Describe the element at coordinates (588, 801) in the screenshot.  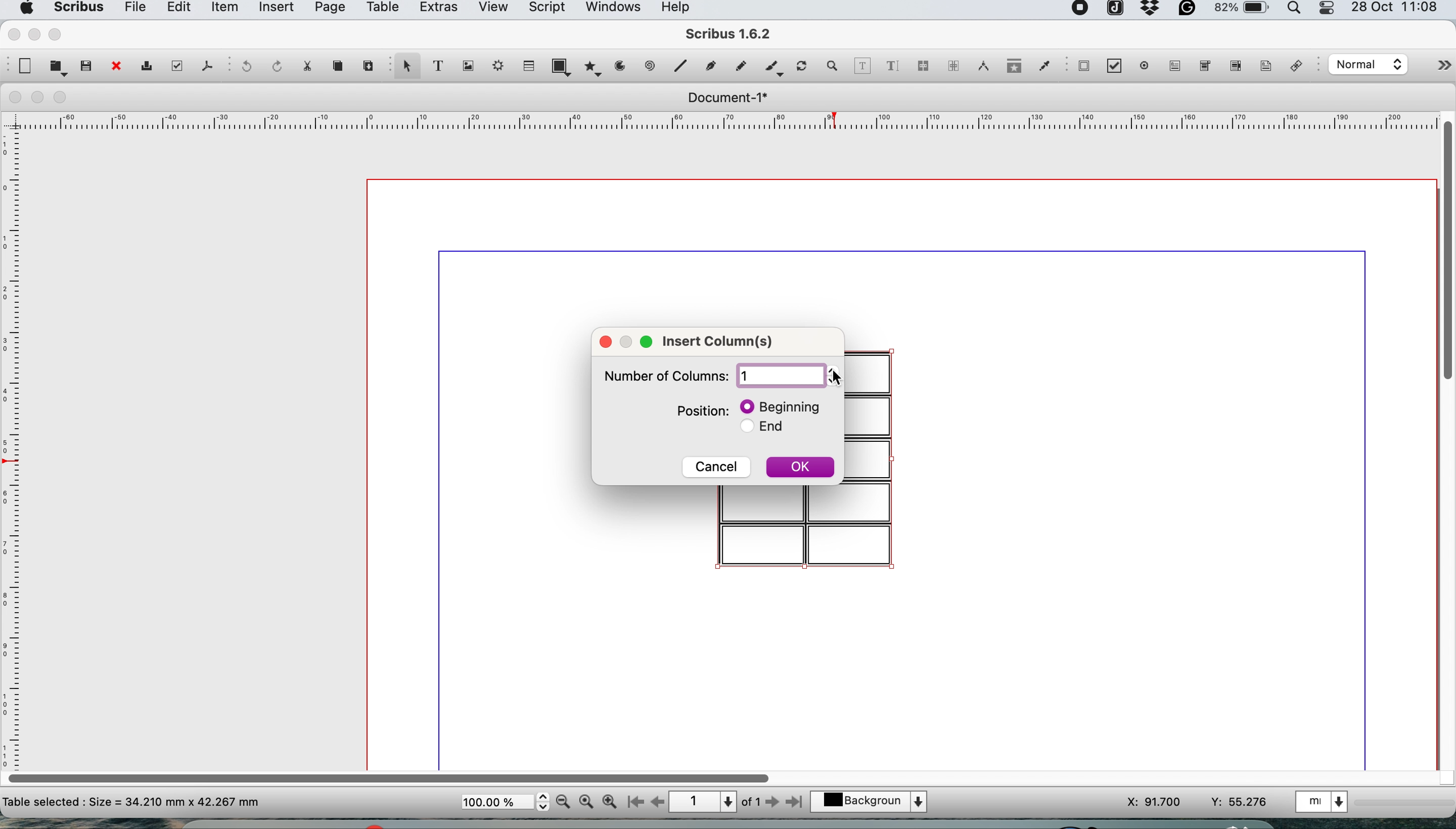
I see `zoom 100%` at that location.